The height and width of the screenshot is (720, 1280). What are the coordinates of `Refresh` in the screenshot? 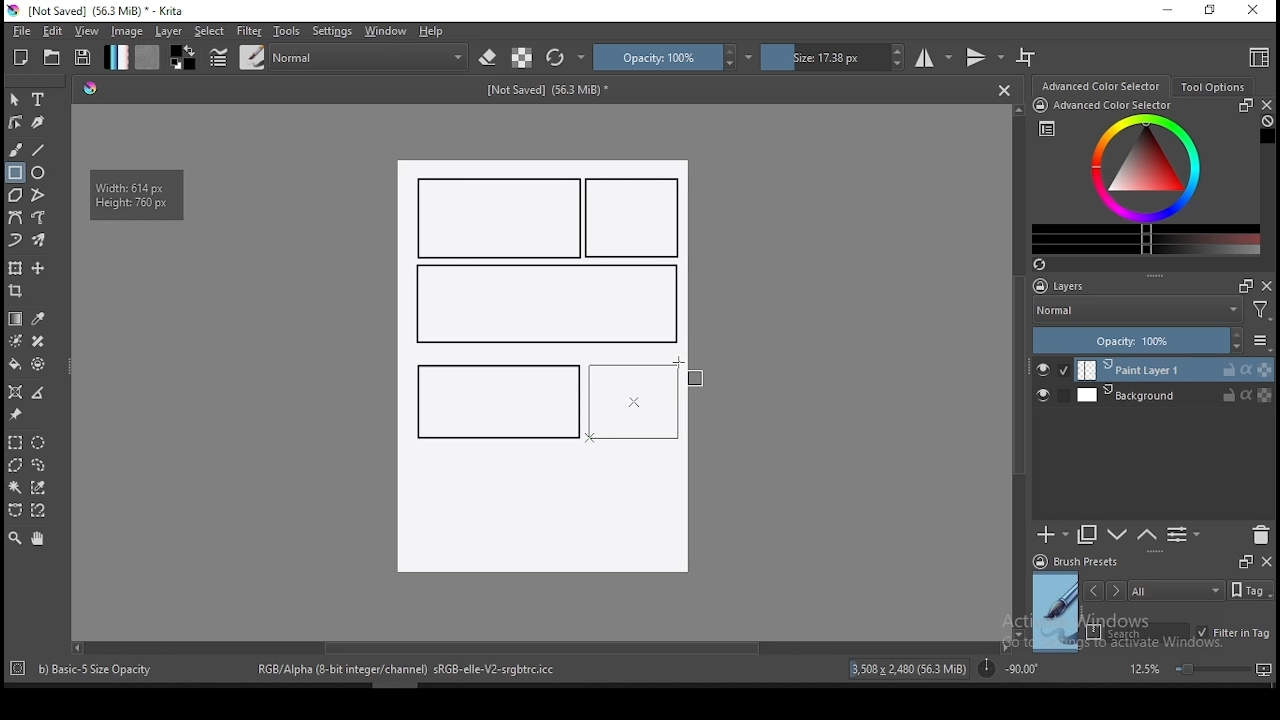 It's located at (1047, 266).